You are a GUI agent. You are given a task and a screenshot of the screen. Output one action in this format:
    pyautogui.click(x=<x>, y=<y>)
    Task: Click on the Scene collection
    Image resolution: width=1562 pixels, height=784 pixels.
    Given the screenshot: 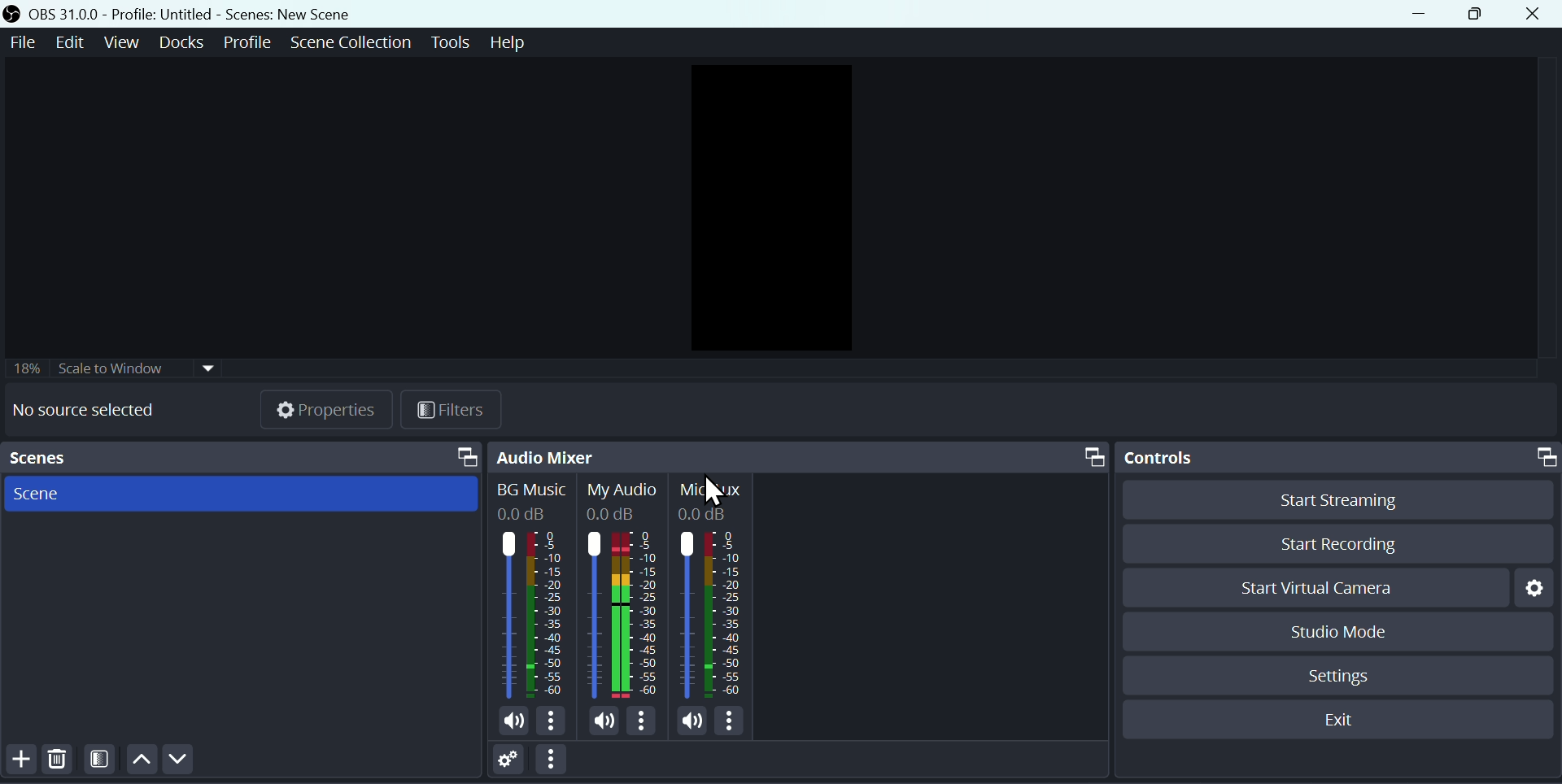 What is the action you would take?
    pyautogui.click(x=351, y=44)
    